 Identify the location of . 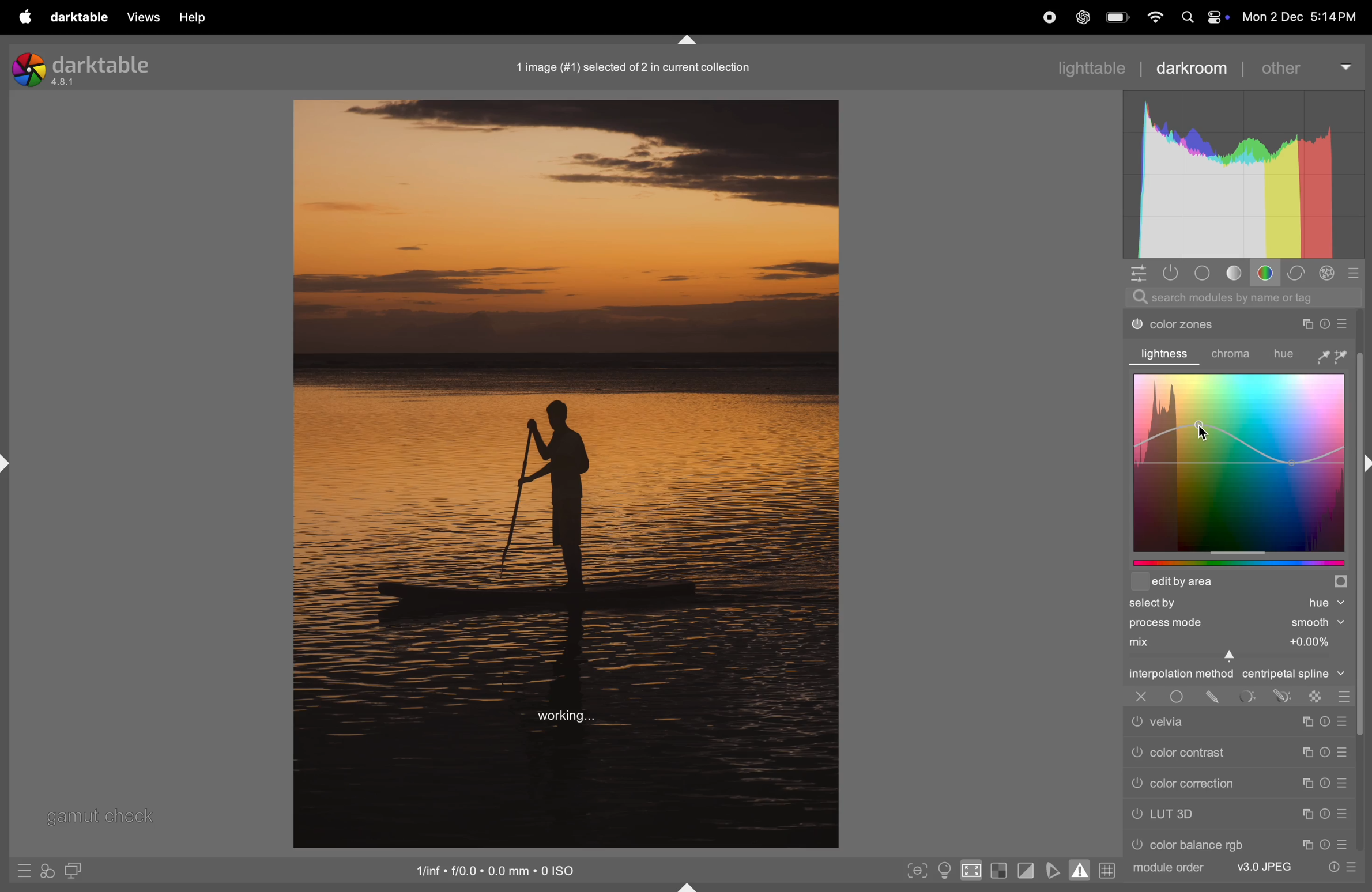
(1283, 696).